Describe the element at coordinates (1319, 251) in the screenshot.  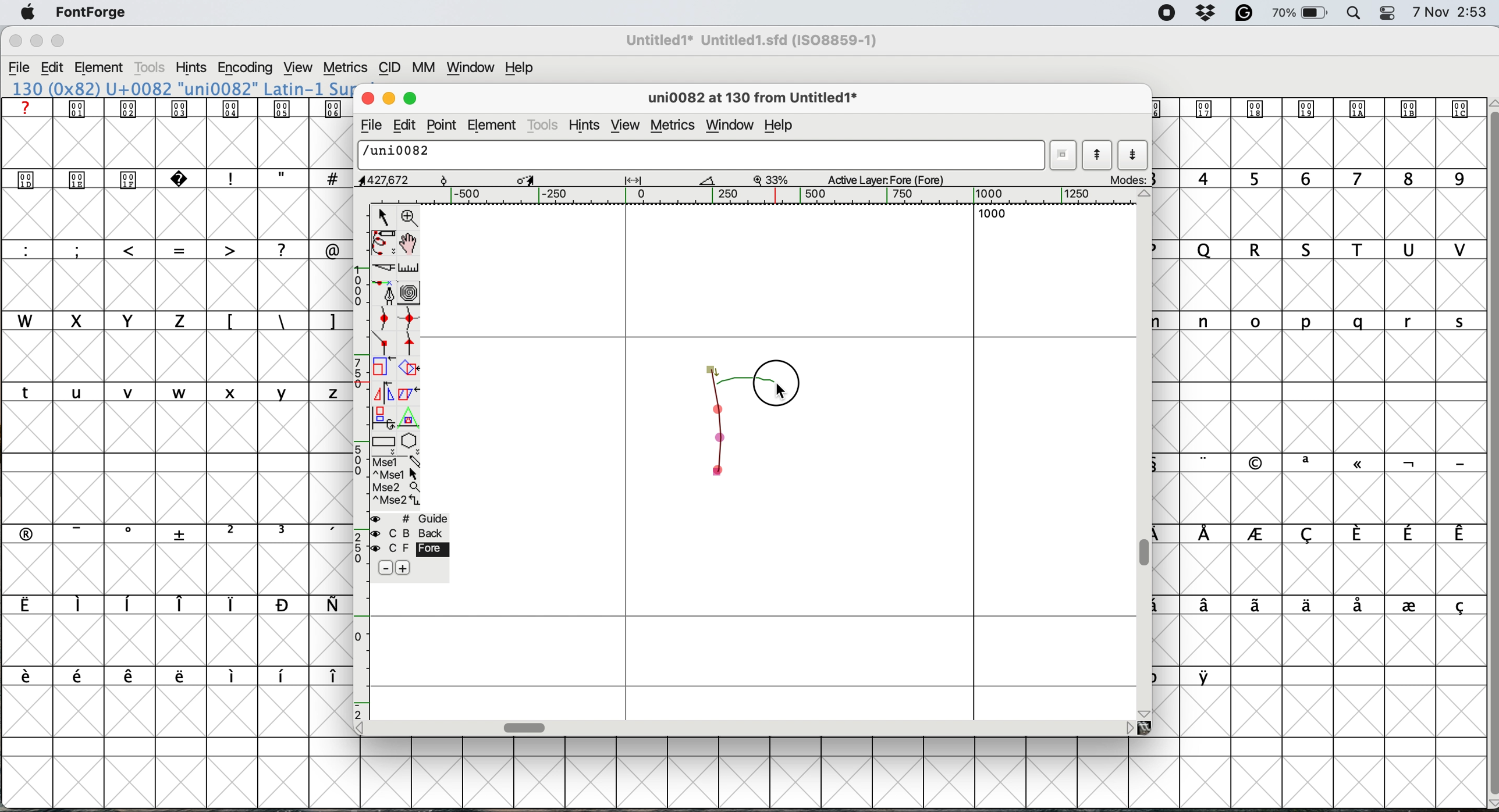
I see `uppercase letters` at that location.